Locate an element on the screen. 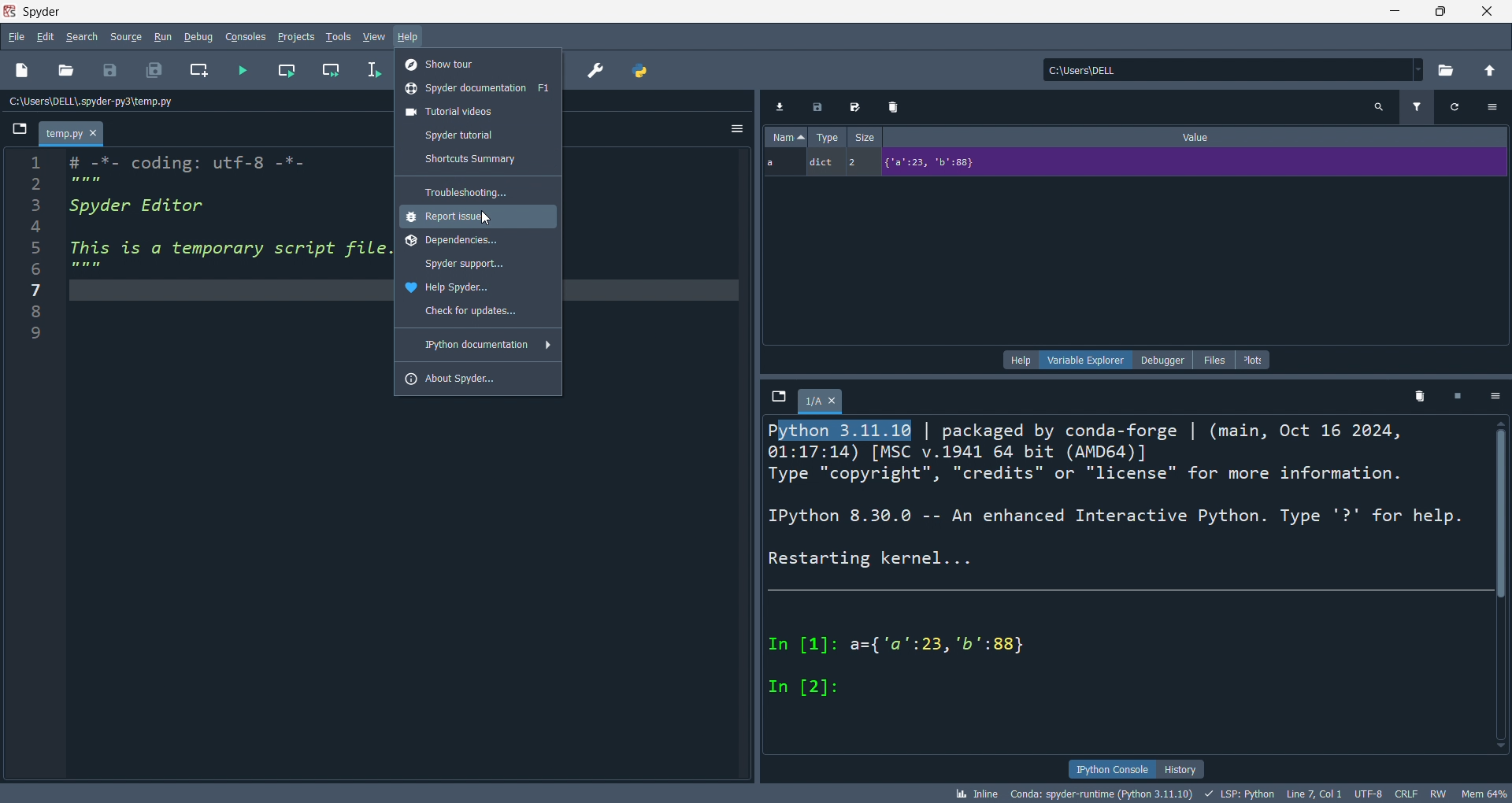 The image size is (1512, 803). debugger is located at coordinates (1165, 360).